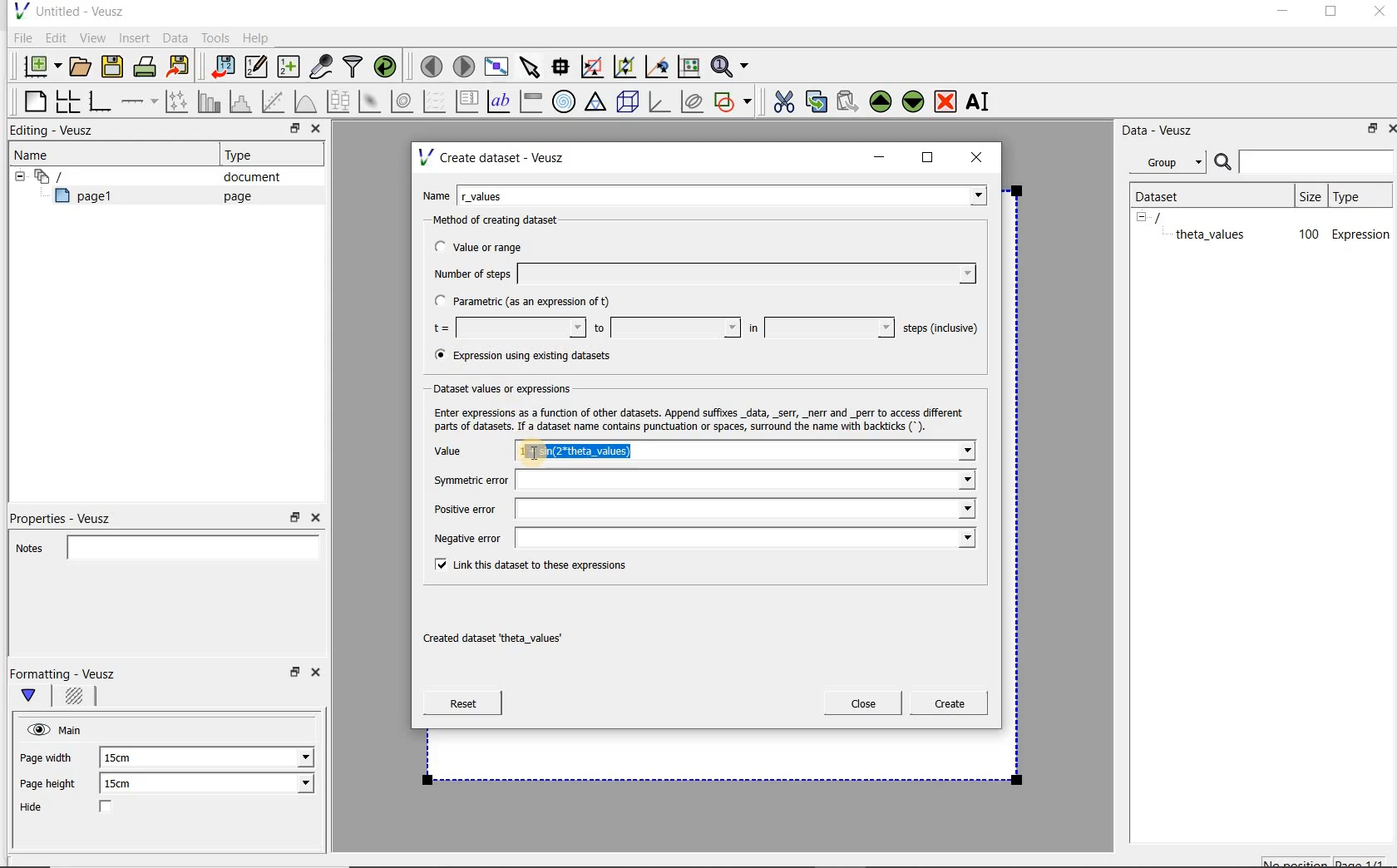 The height and width of the screenshot is (868, 1397). What do you see at coordinates (731, 62) in the screenshot?
I see `Zoom functions menu` at bounding box center [731, 62].